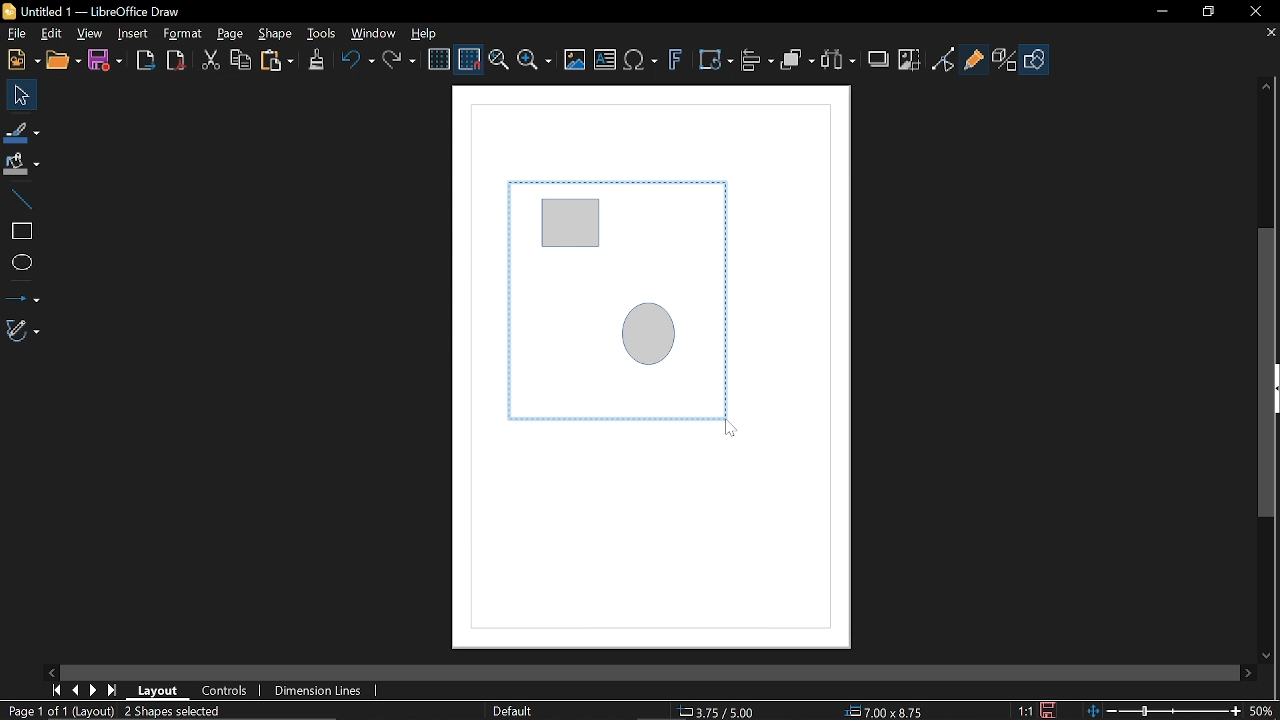 This screenshot has height=720, width=1280. What do you see at coordinates (21, 294) in the screenshot?
I see `Lines and arrows` at bounding box center [21, 294].